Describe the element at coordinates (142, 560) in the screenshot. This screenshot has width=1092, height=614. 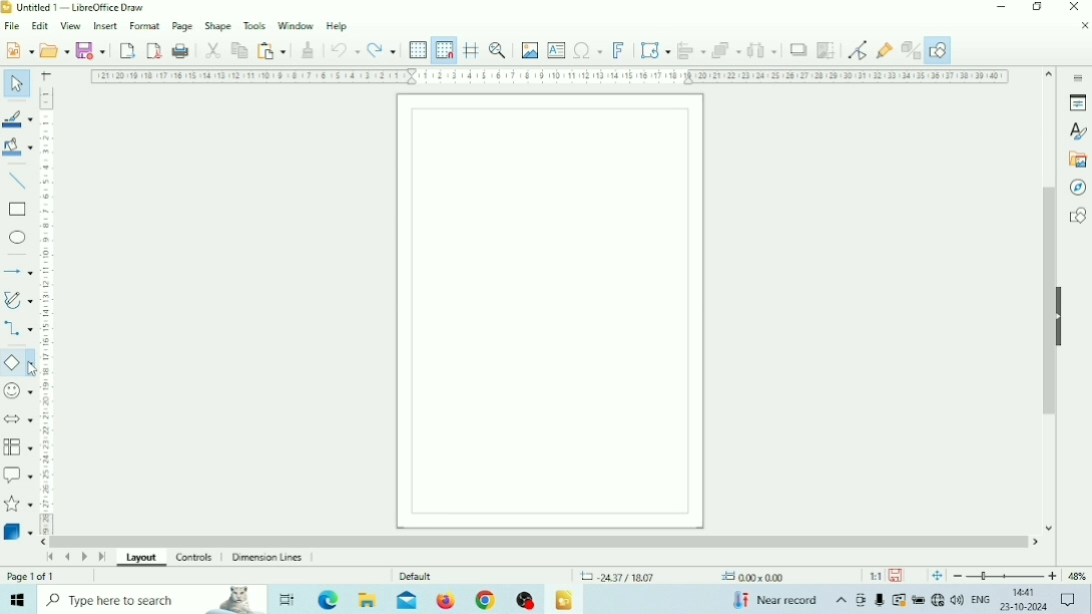
I see `Layout` at that location.